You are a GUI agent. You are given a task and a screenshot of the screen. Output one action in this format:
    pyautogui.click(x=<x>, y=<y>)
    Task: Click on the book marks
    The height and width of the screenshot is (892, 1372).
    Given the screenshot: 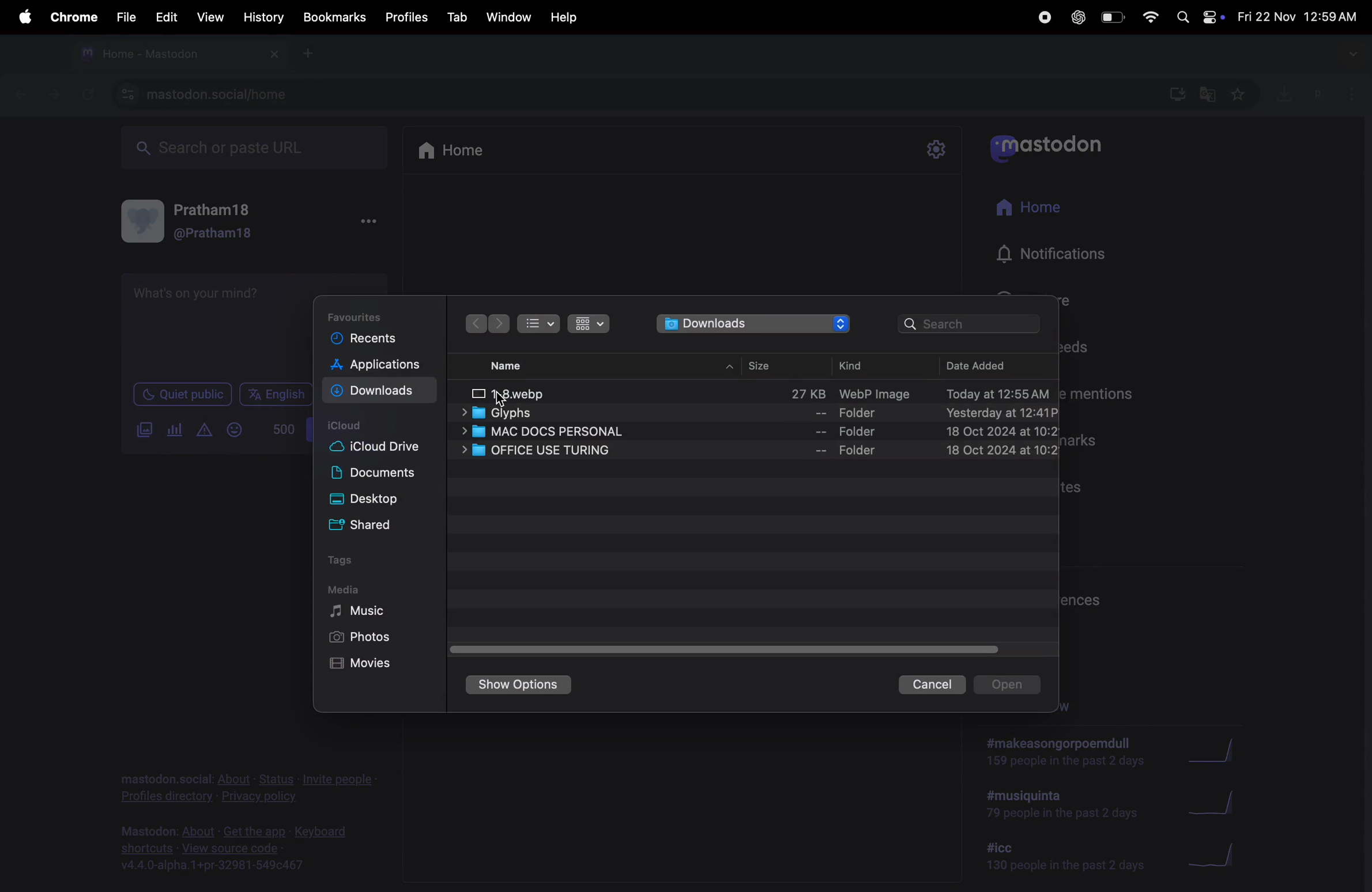 What is the action you would take?
    pyautogui.click(x=335, y=18)
    